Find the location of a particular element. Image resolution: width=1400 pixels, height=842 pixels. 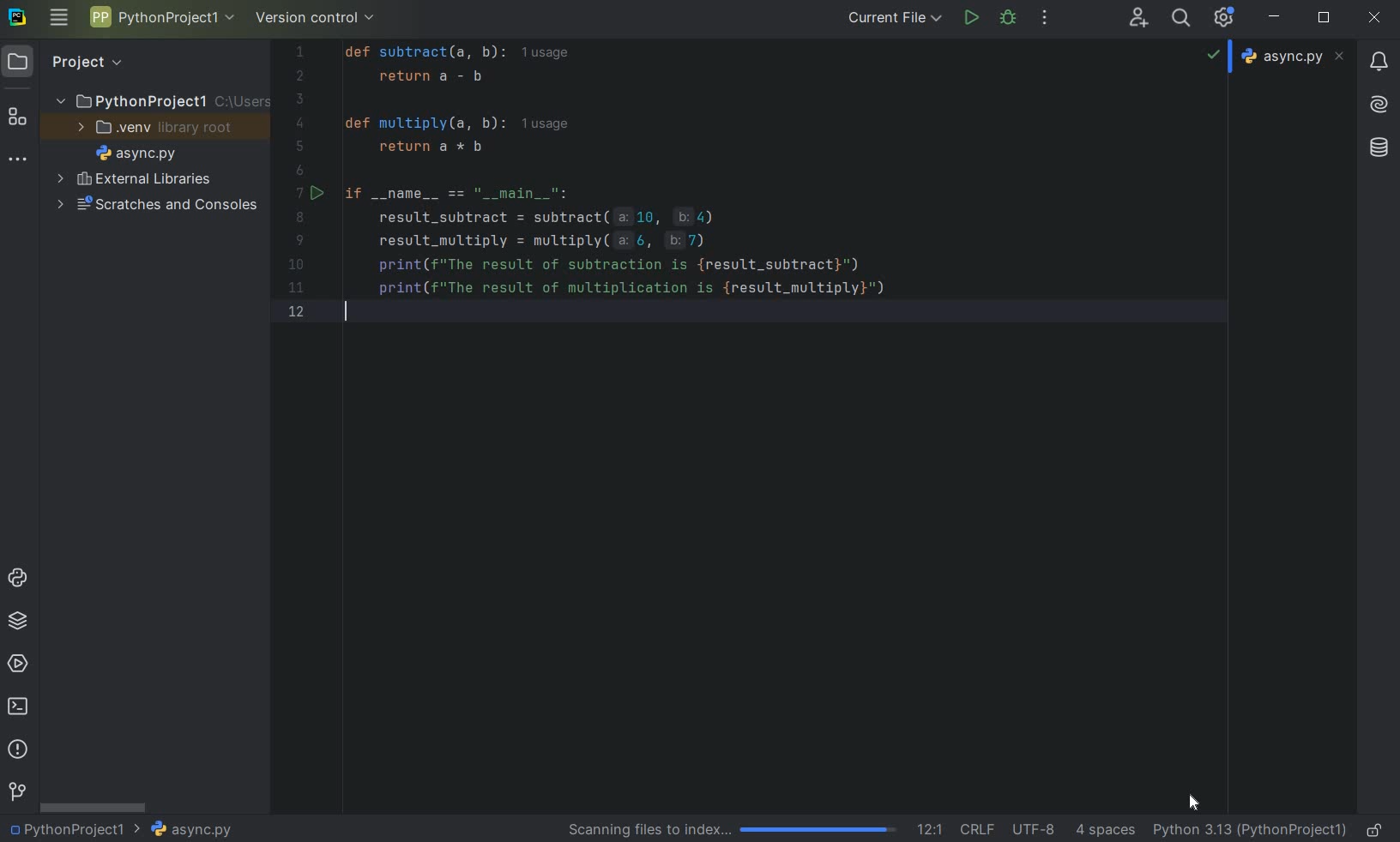

external libraries is located at coordinates (136, 178).